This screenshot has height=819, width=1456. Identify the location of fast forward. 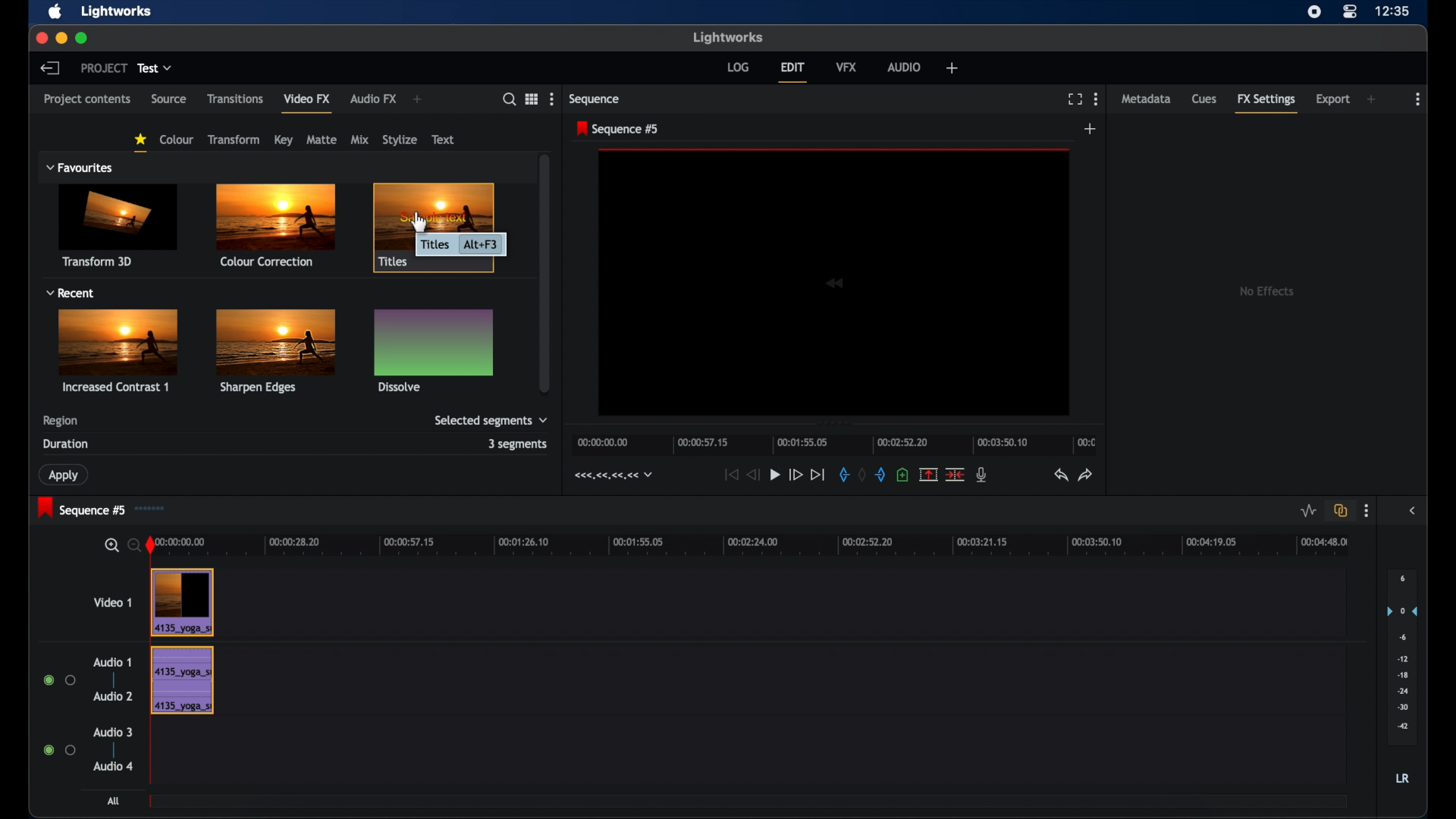
(795, 474).